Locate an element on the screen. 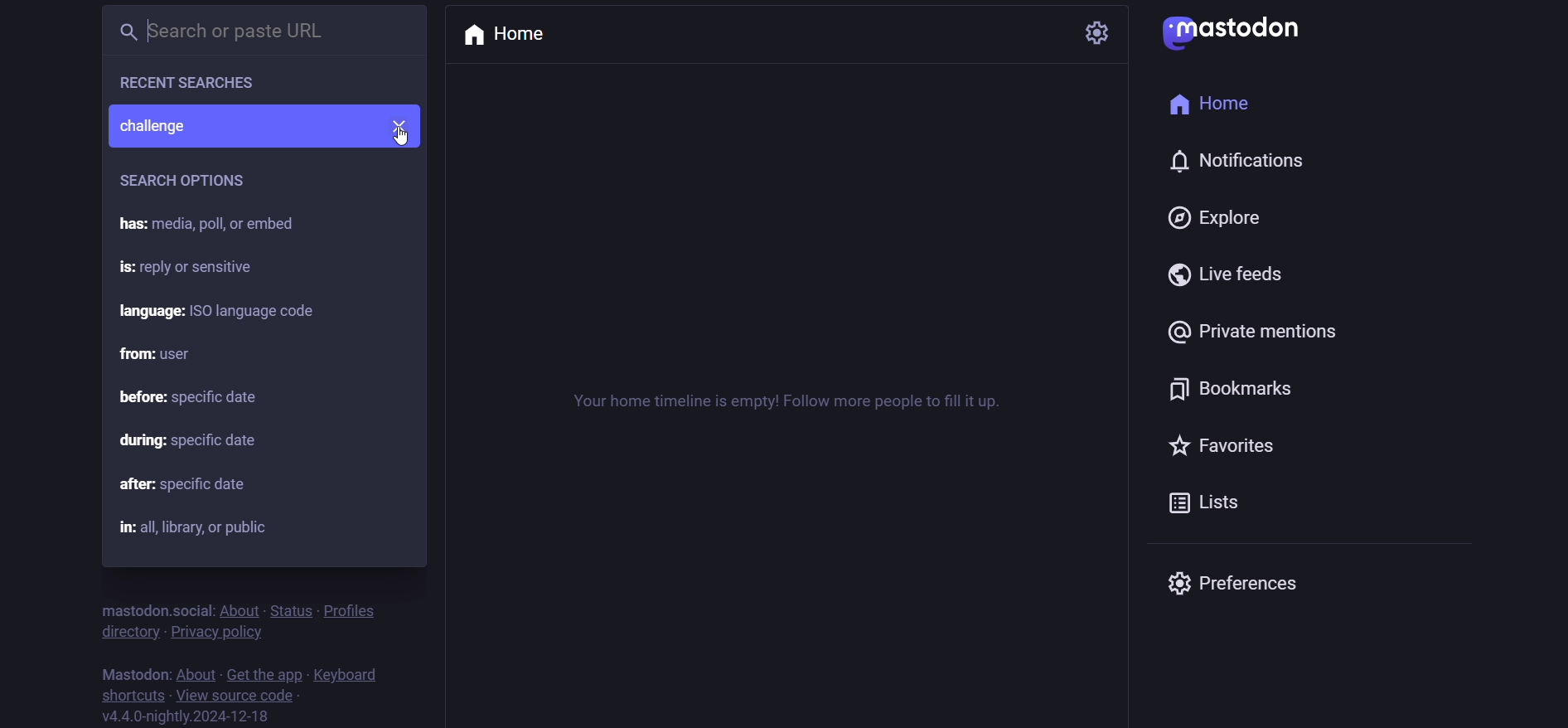  private mention is located at coordinates (1258, 331).